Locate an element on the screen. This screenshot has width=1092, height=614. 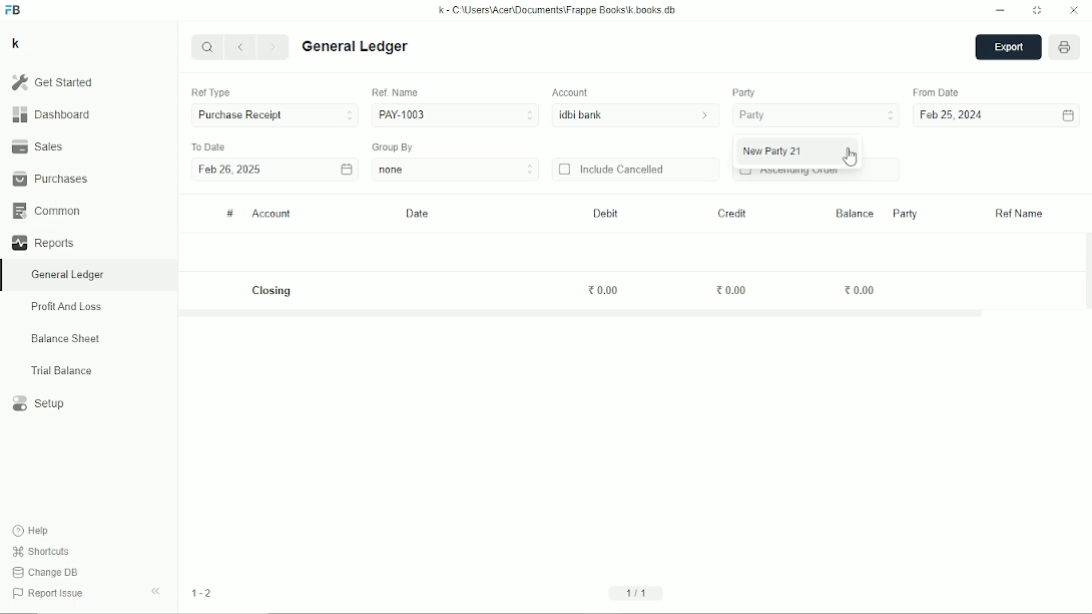
Party is located at coordinates (744, 93).